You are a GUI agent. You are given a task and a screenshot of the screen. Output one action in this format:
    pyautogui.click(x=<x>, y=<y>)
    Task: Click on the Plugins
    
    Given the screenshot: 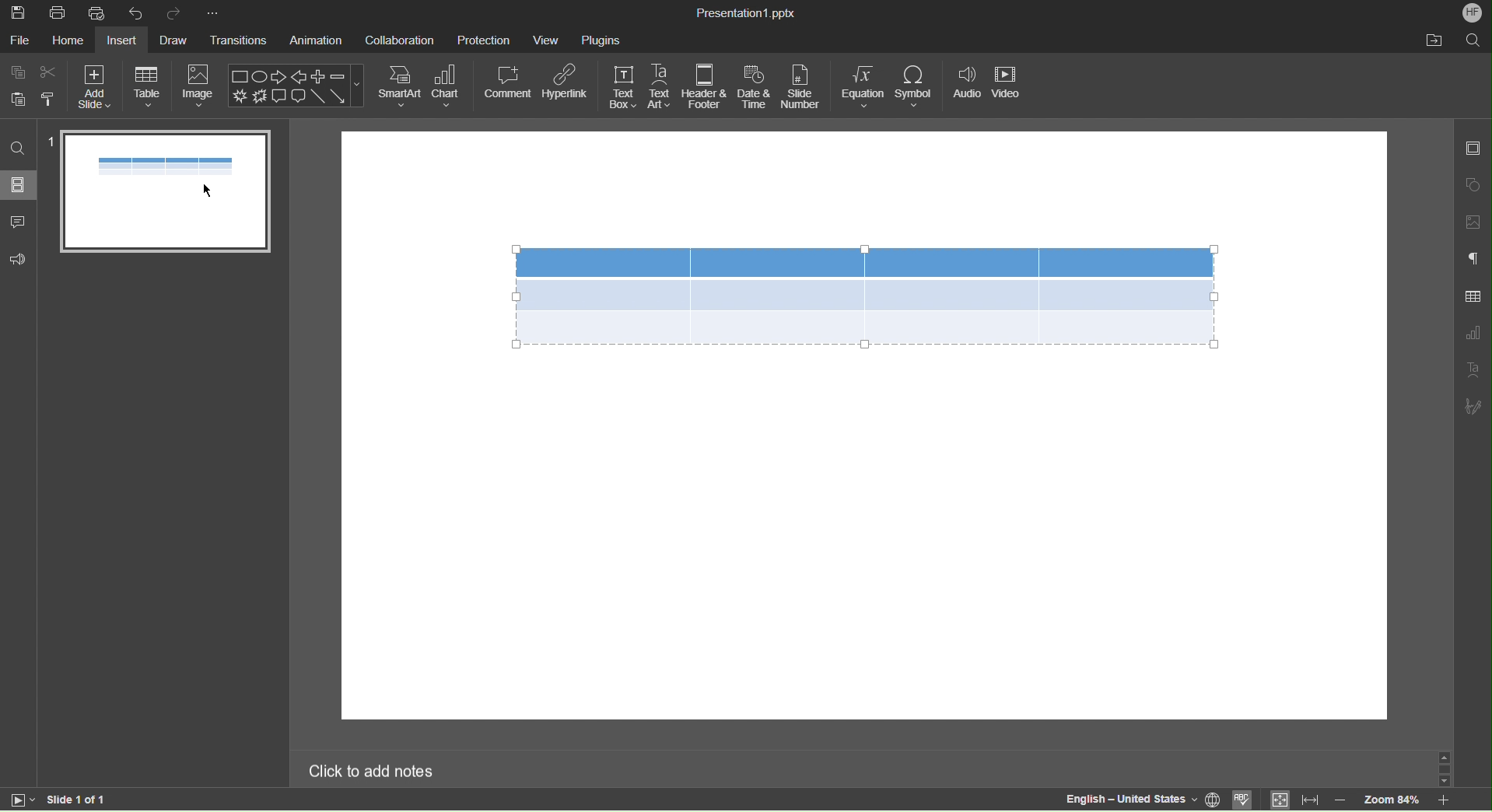 What is the action you would take?
    pyautogui.click(x=601, y=38)
    